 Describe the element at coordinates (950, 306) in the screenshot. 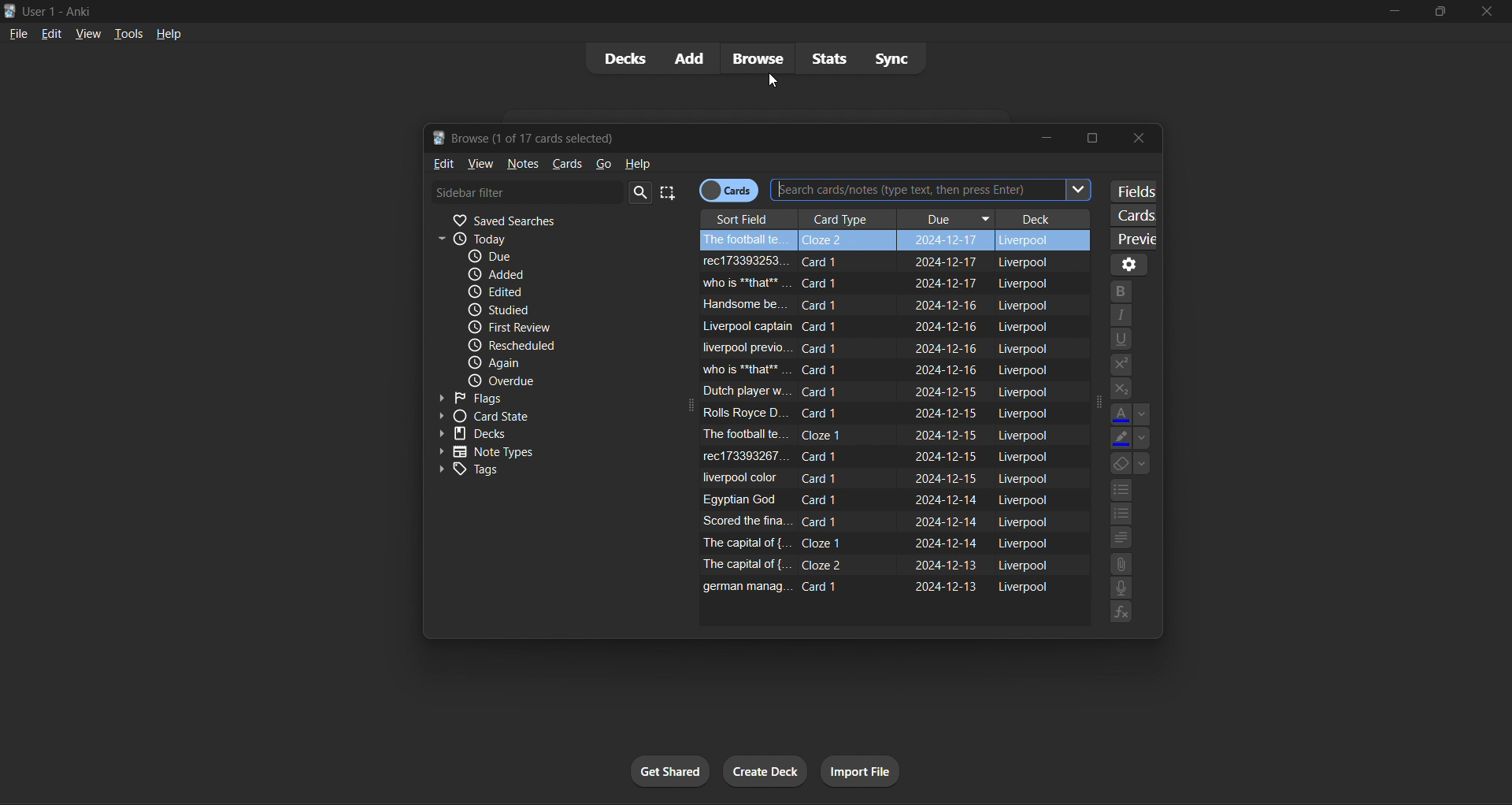

I see `due date` at that location.